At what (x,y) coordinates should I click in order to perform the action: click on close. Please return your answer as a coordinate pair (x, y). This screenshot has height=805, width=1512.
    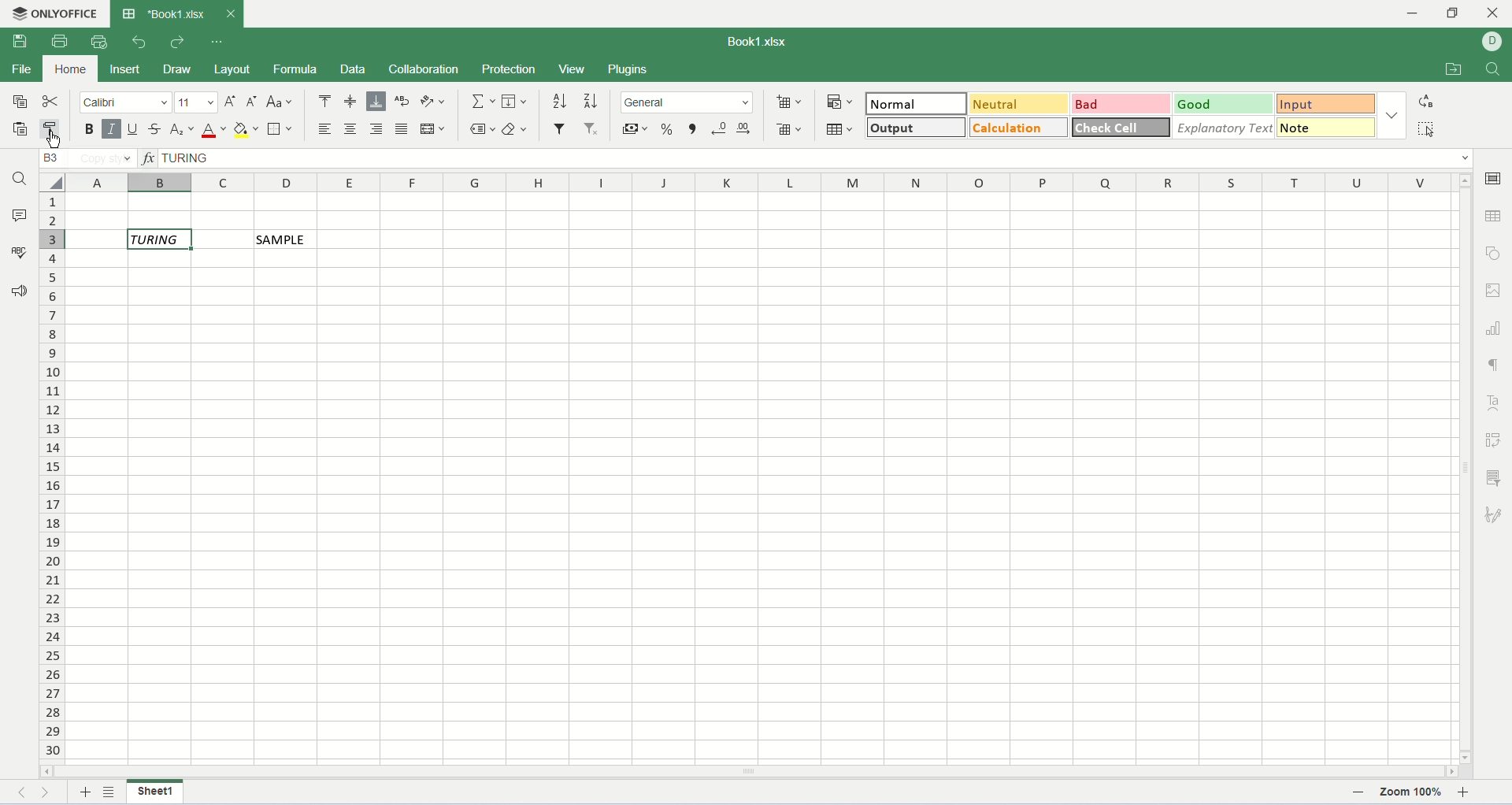
    Looking at the image, I should click on (1494, 16).